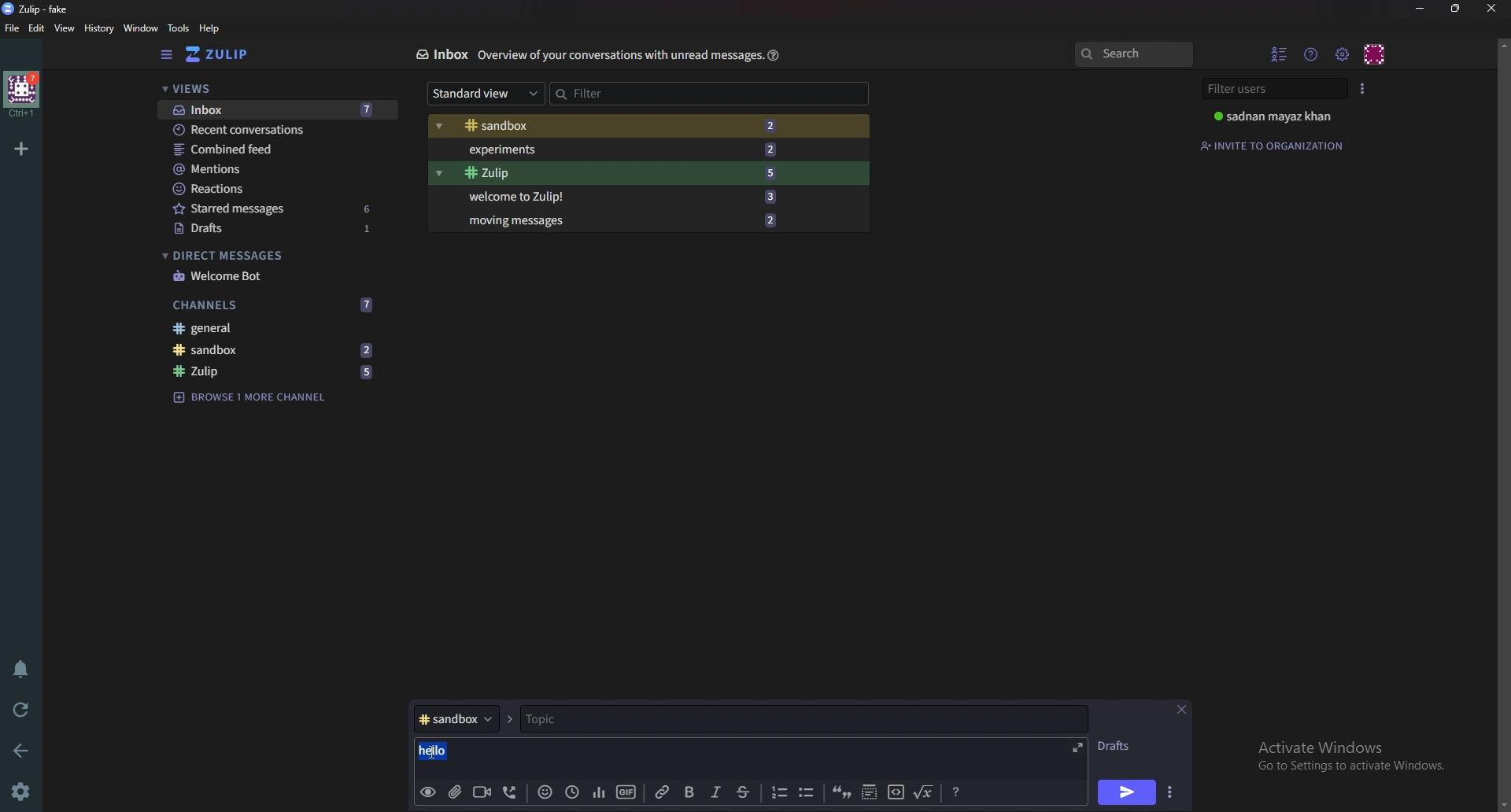 This screenshot has height=812, width=1511. Describe the element at coordinates (1457, 8) in the screenshot. I see `Resize` at that location.